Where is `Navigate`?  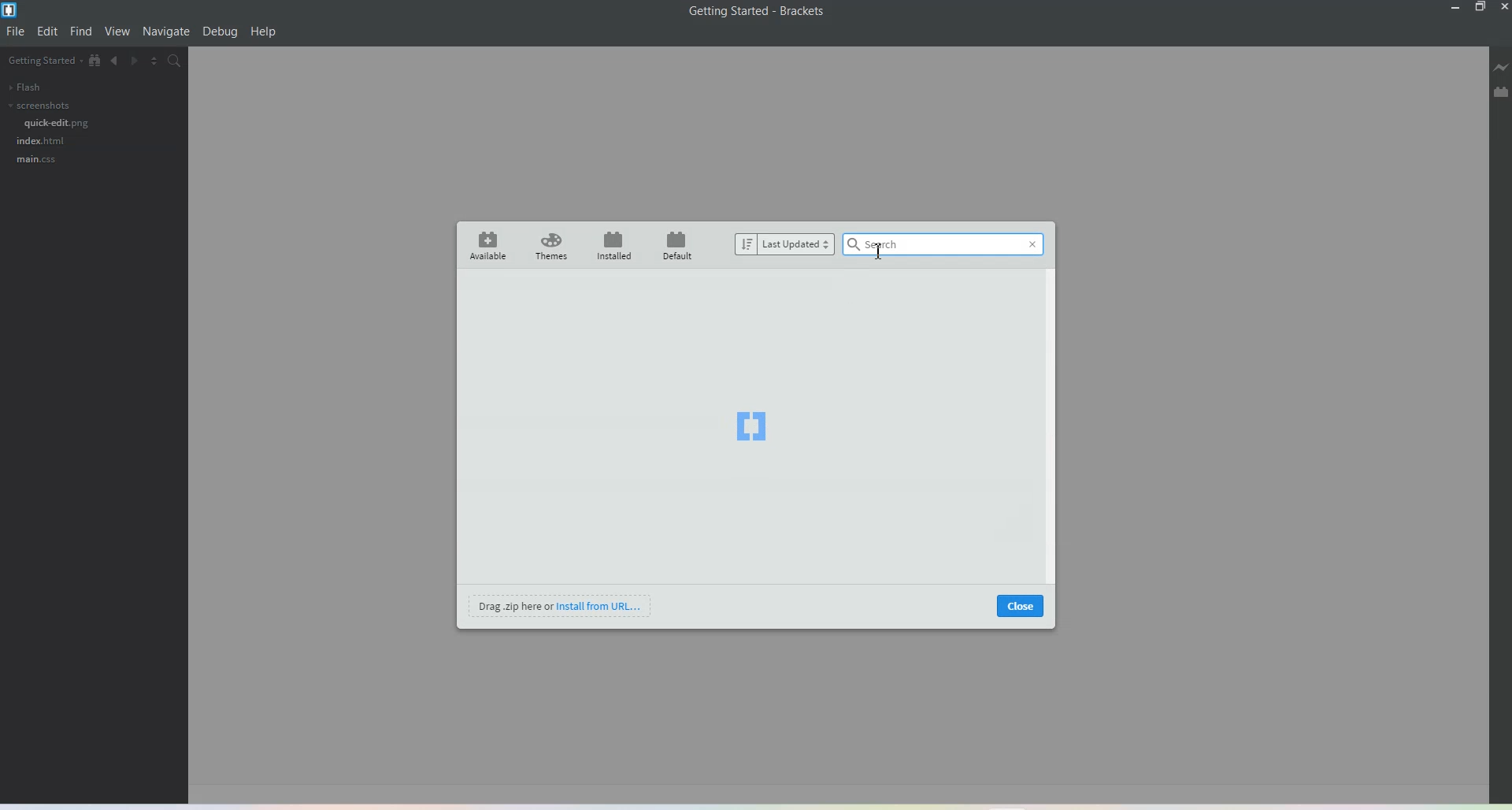 Navigate is located at coordinates (166, 32).